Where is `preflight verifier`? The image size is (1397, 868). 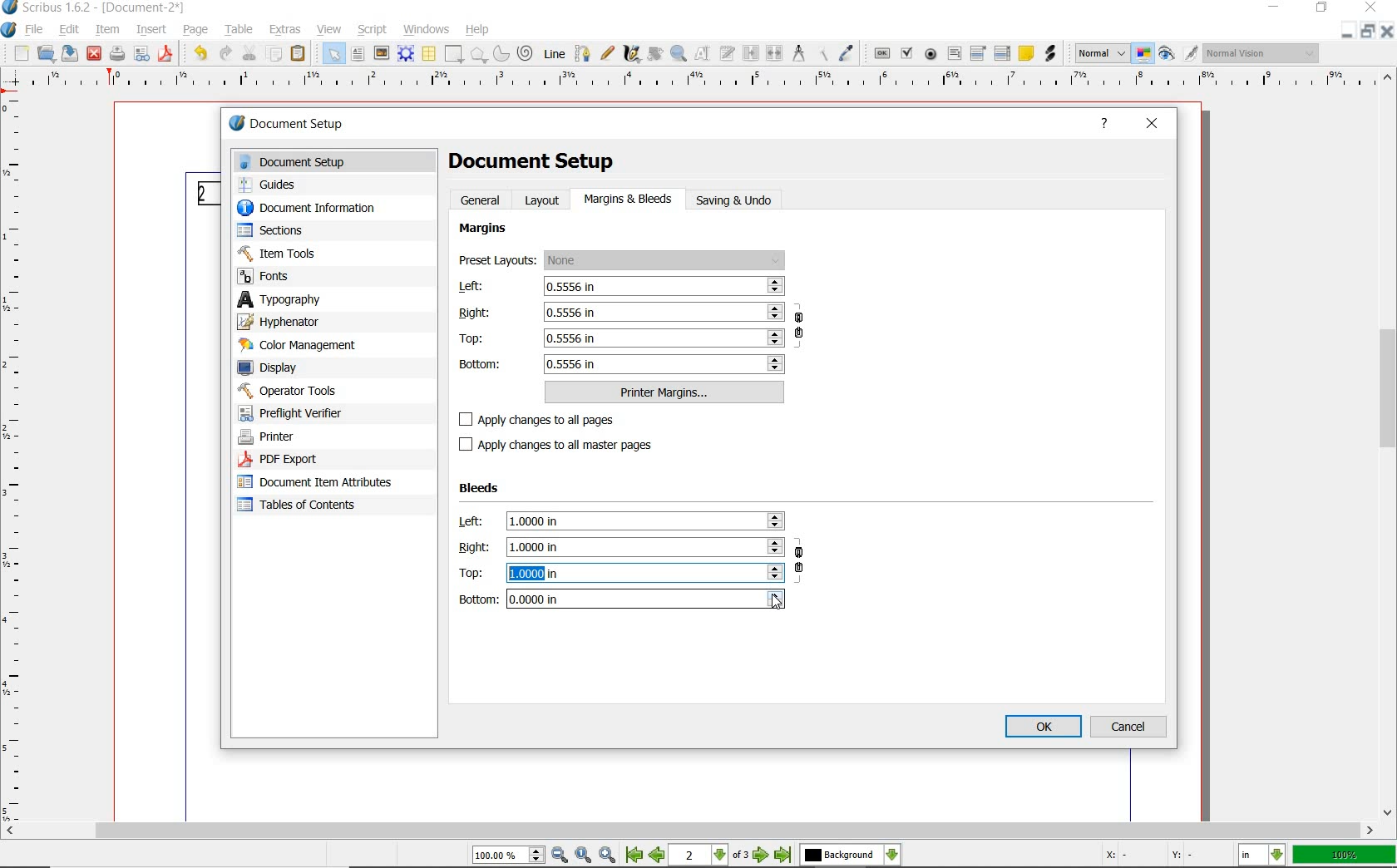 preflight verifier is located at coordinates (143, 54).